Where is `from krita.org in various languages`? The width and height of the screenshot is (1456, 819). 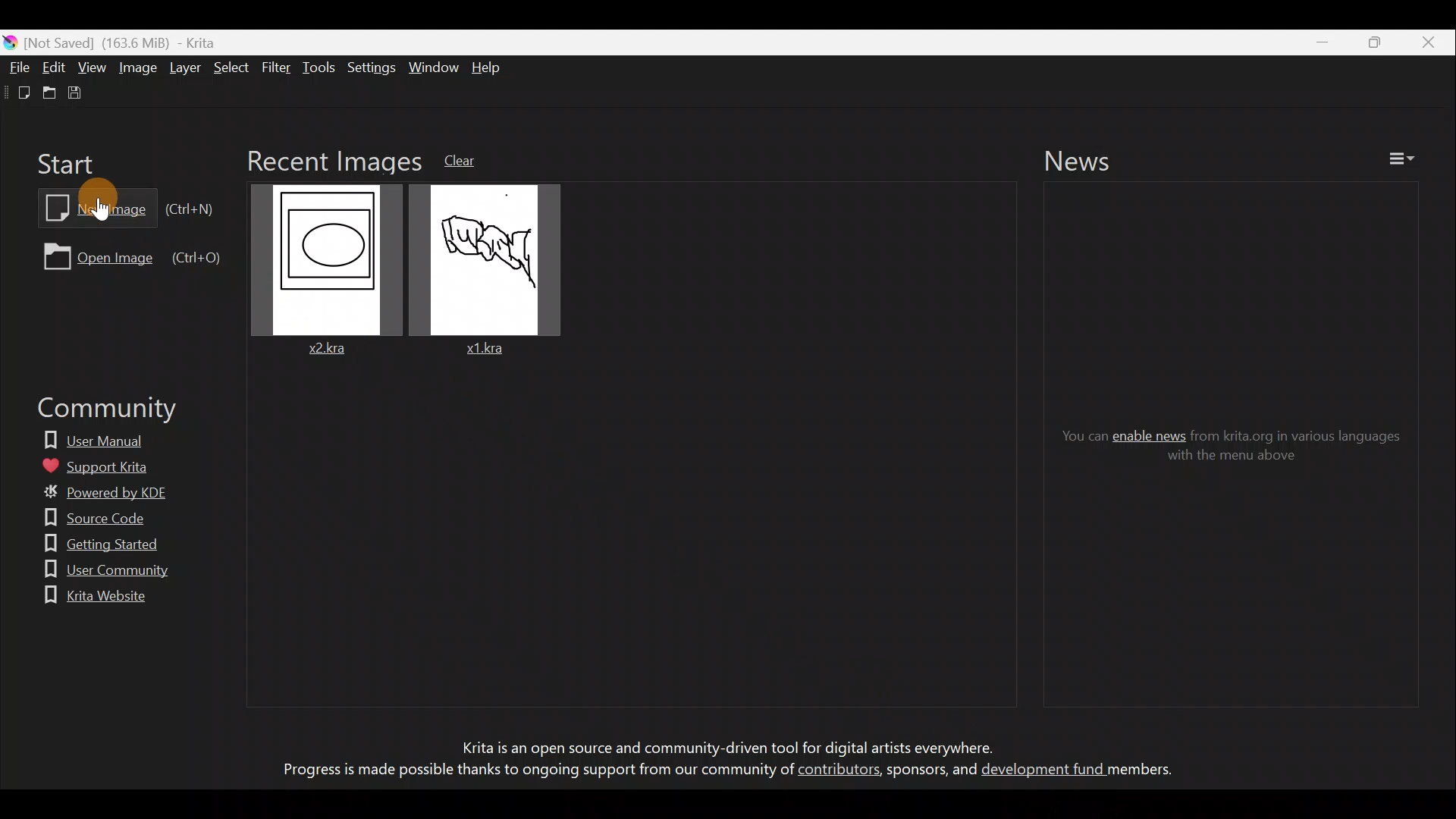 from krita.org in various languages is located at coordinates (1301, 435).